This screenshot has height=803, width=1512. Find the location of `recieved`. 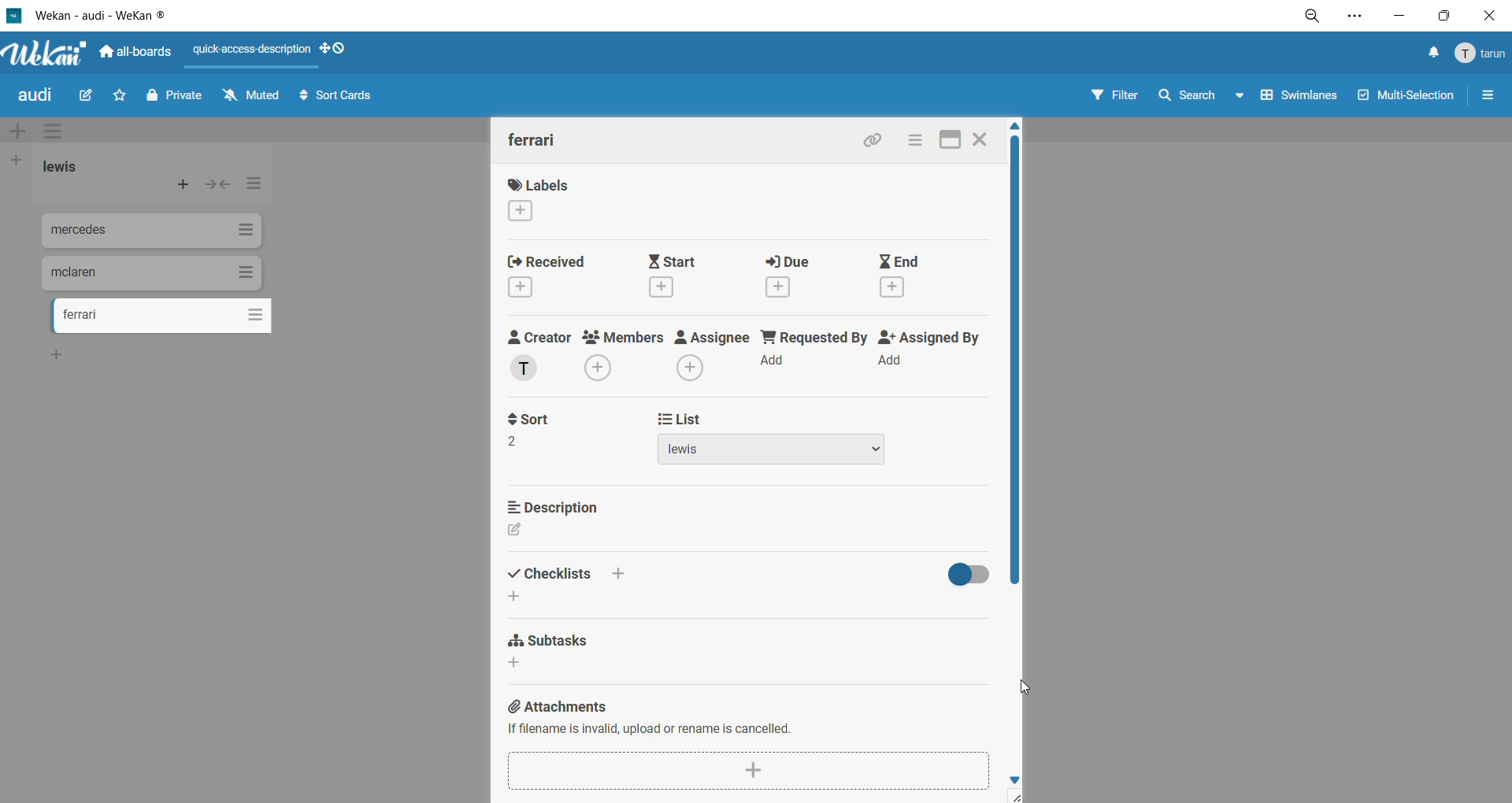

recieved is located at coordinates (549, 273).